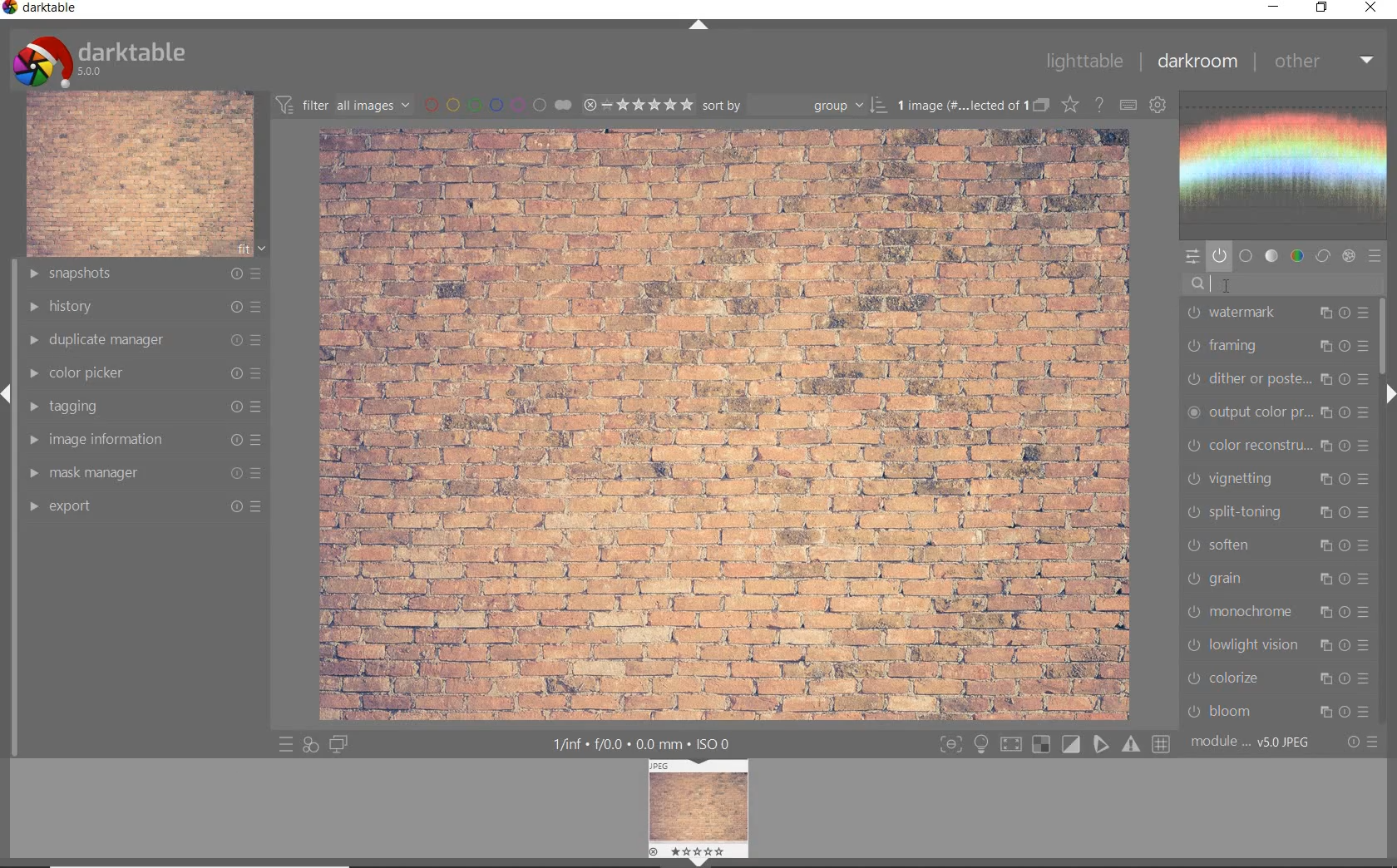  Describe the element at coordinates (1157, 106) in the screenshot. I see `show global preference` at that location.